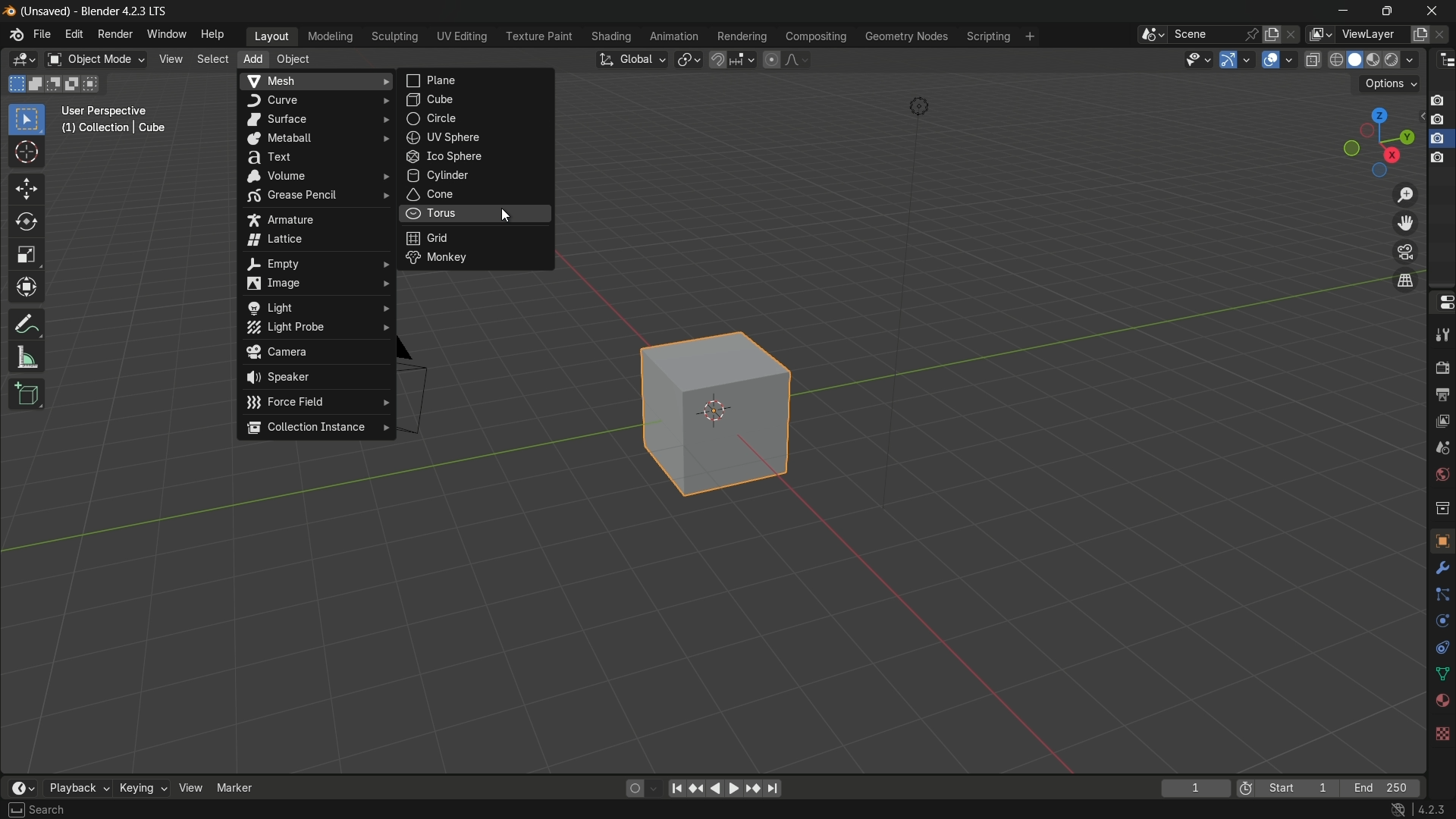 This screenshot has height=819, width=1456. What do you see at coordinates (314, 218) in the screenshot?
I see `armature` at bounding box center [314, 218].